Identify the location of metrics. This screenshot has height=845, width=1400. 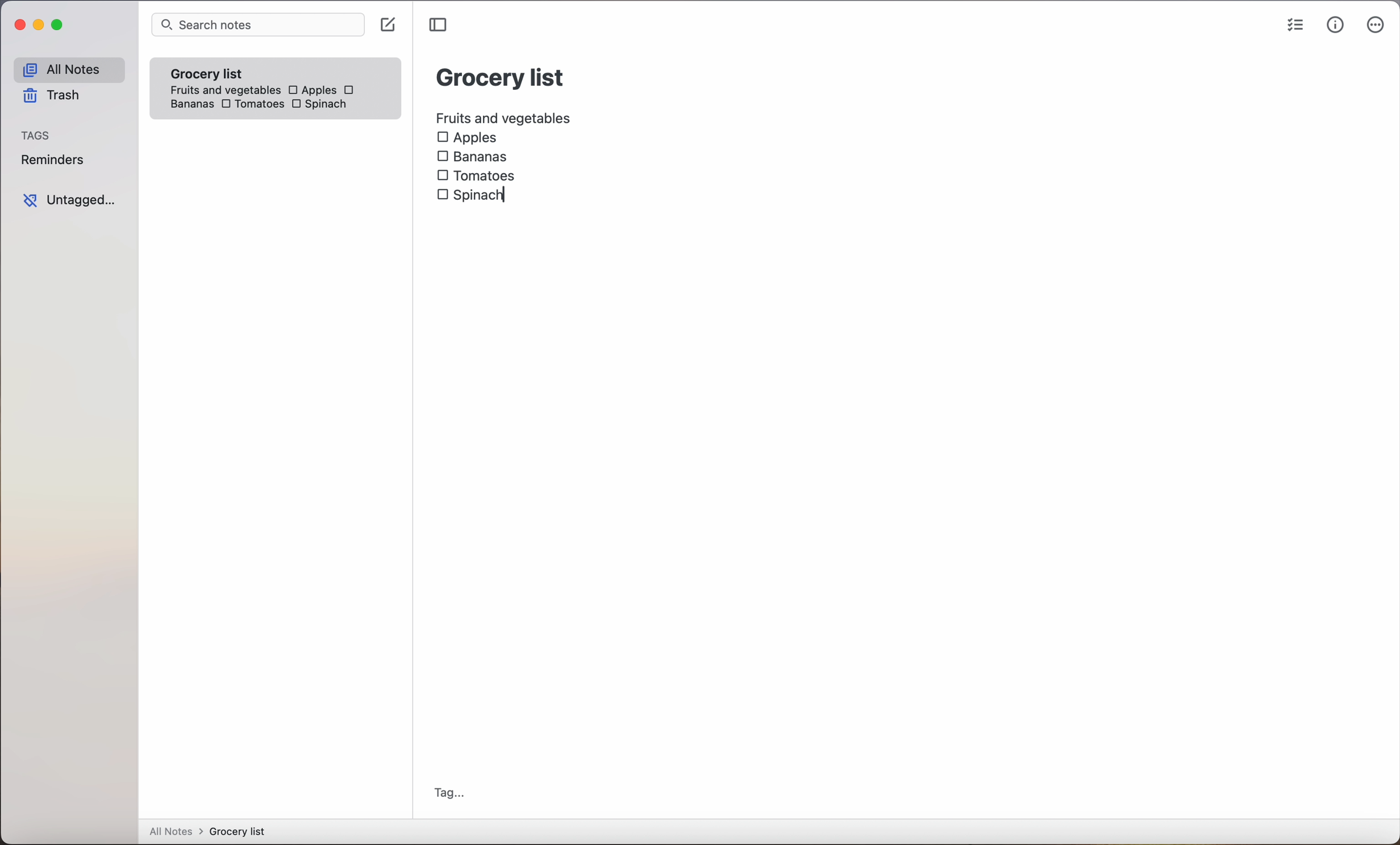
(1335, 26).